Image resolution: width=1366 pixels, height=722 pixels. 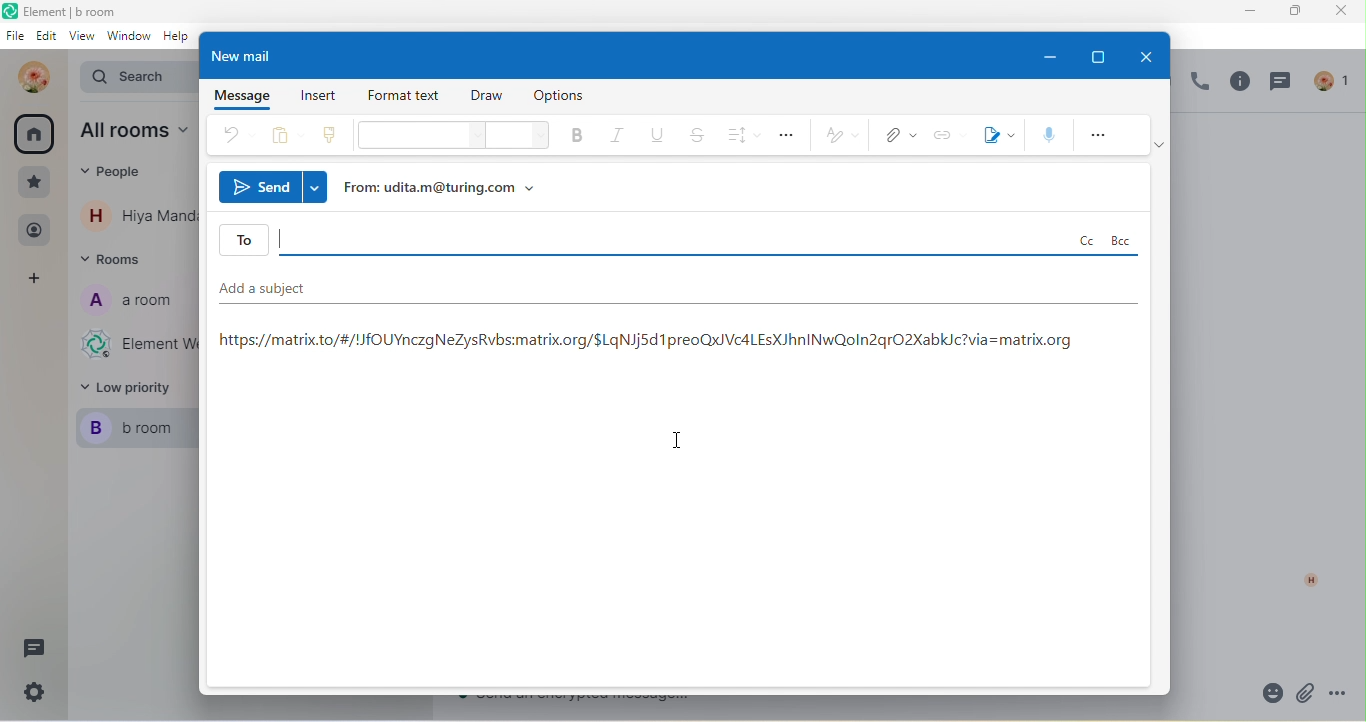 I want to click on file, so click(x=14, y=38).